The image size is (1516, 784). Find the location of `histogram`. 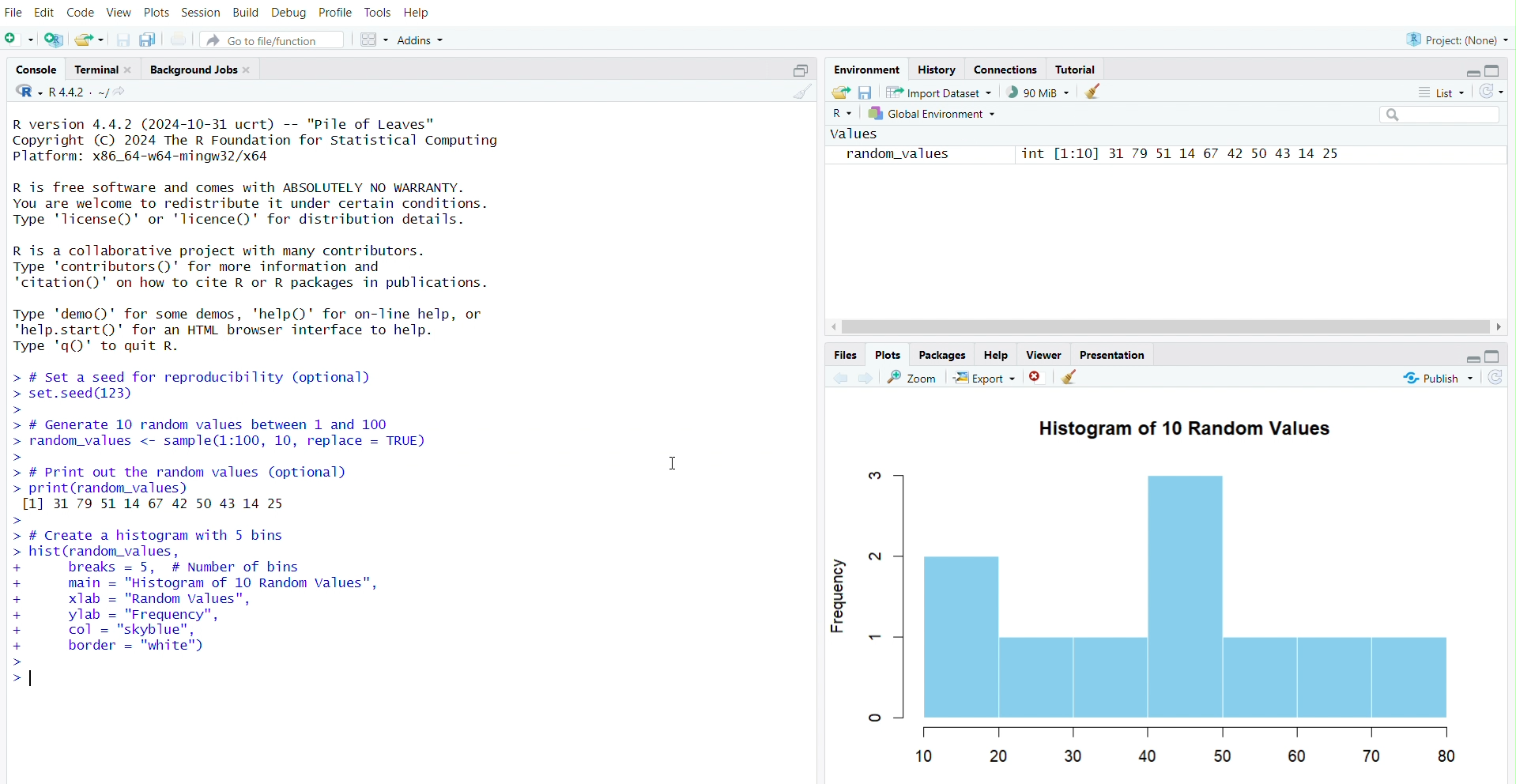

histogram is located at coordinates (1180, 602).